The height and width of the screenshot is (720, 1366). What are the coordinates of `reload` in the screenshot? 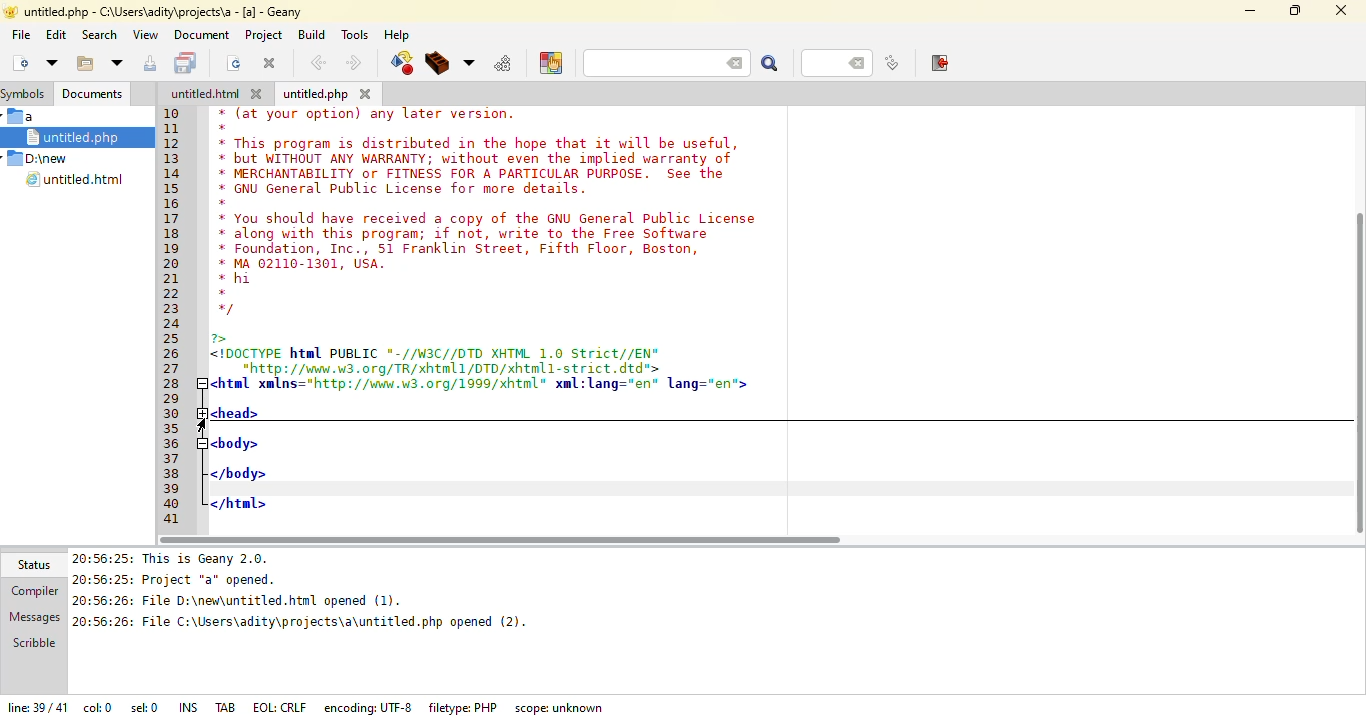 It's located at (234, 63).